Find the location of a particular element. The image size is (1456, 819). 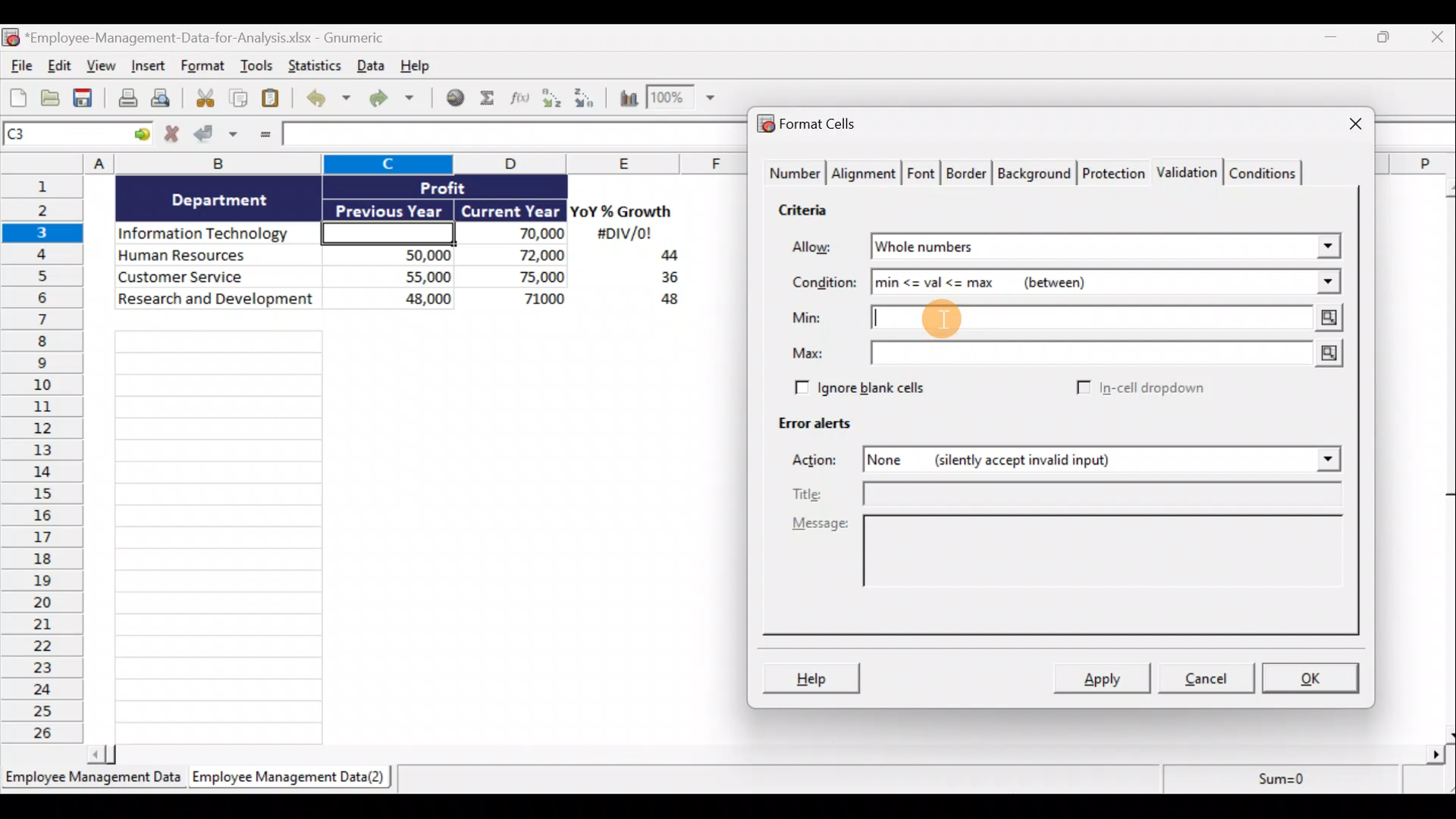

Message is located at coordinates (1064, 563).